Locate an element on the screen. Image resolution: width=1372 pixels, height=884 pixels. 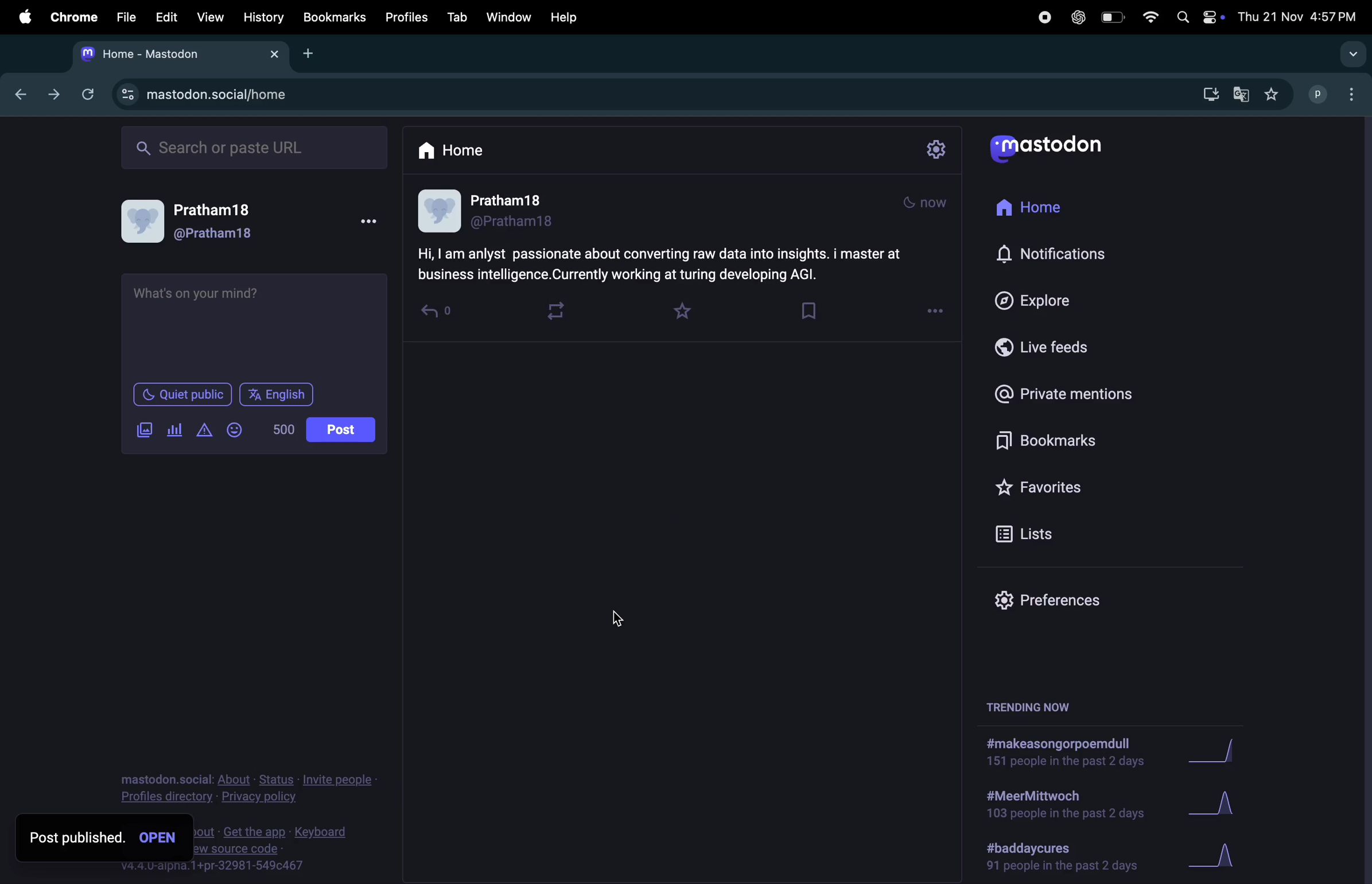
userlogo is located at coordinates (1045, 149).